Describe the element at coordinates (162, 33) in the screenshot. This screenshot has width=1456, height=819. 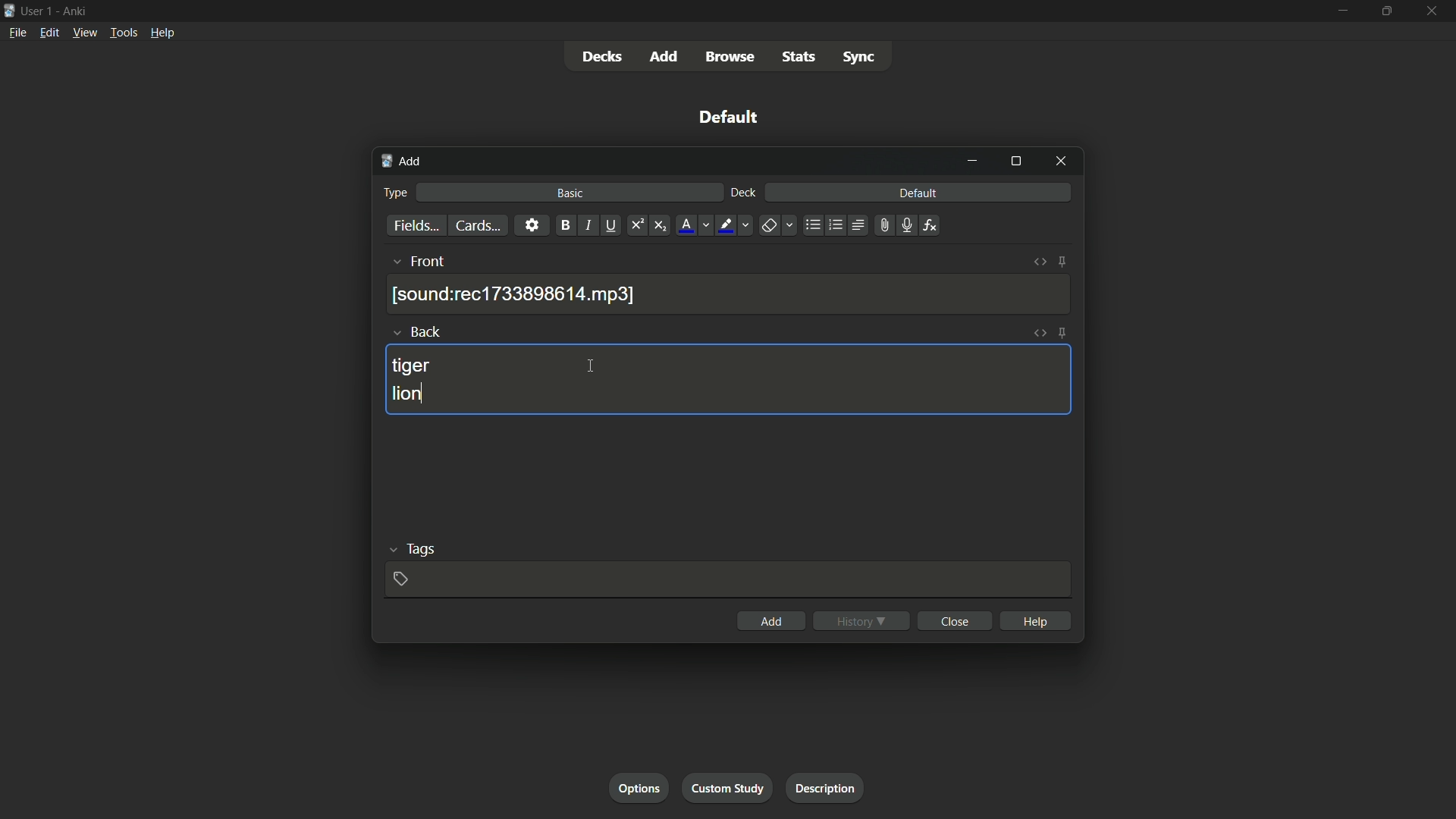
I see `help menu` at that location.